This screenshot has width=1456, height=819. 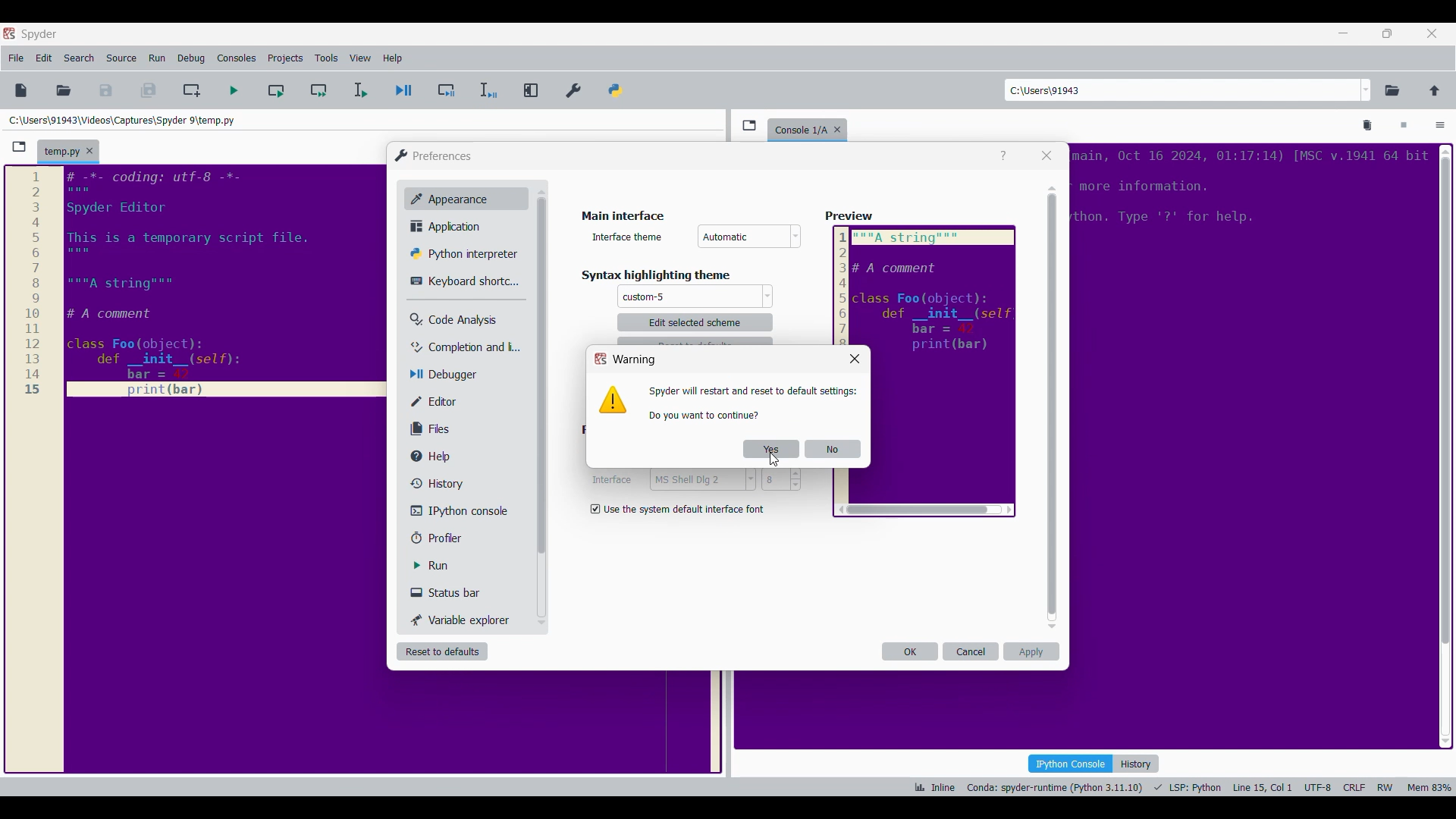 What do you see at coordinates (1367, 127) in the screenshot?
I see `Remove all variables from namespace` at bounding box center [1367, 127].